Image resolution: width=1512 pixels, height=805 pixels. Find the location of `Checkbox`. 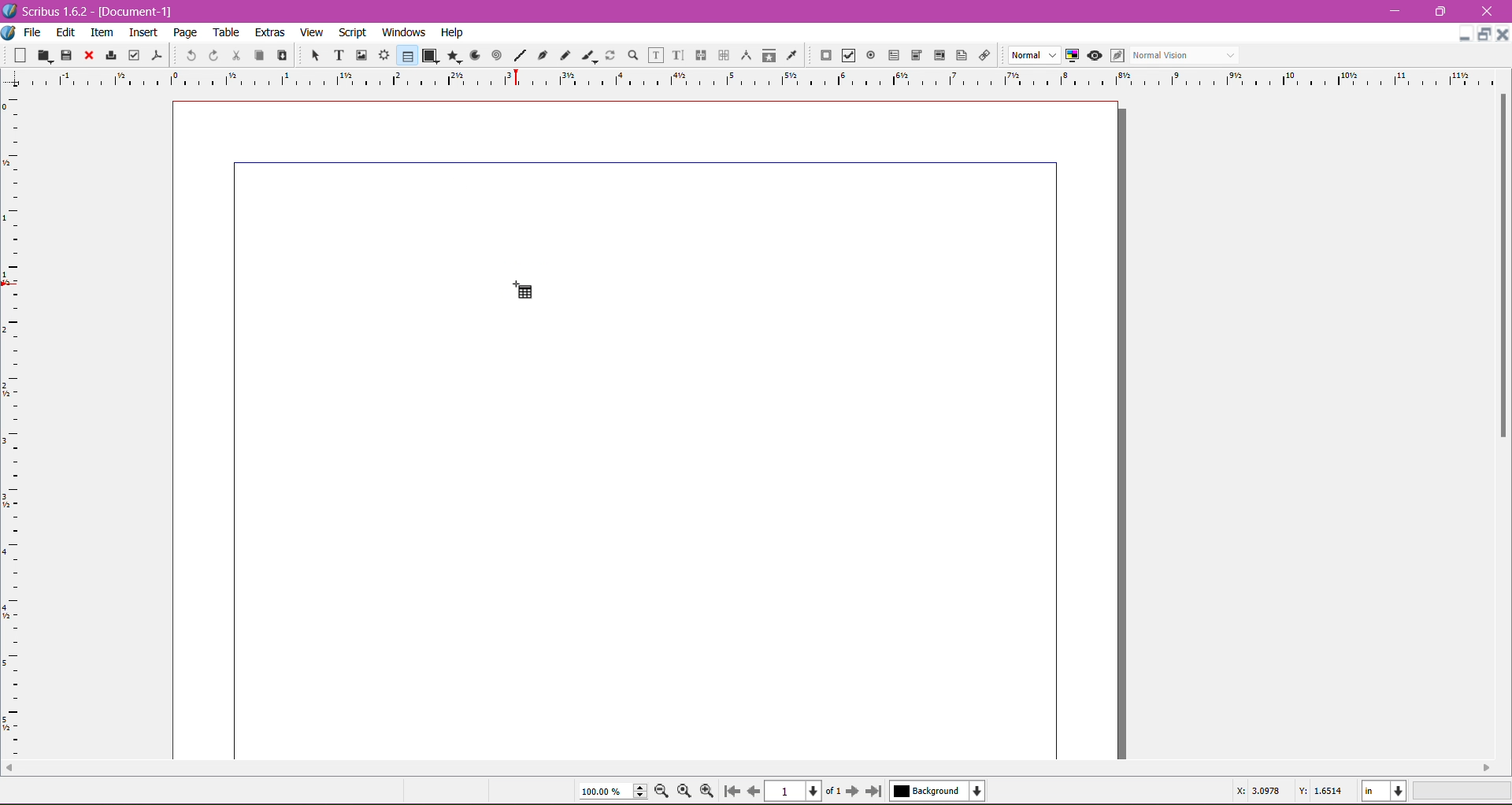

Checkbox is located at coordinates (847, 57).